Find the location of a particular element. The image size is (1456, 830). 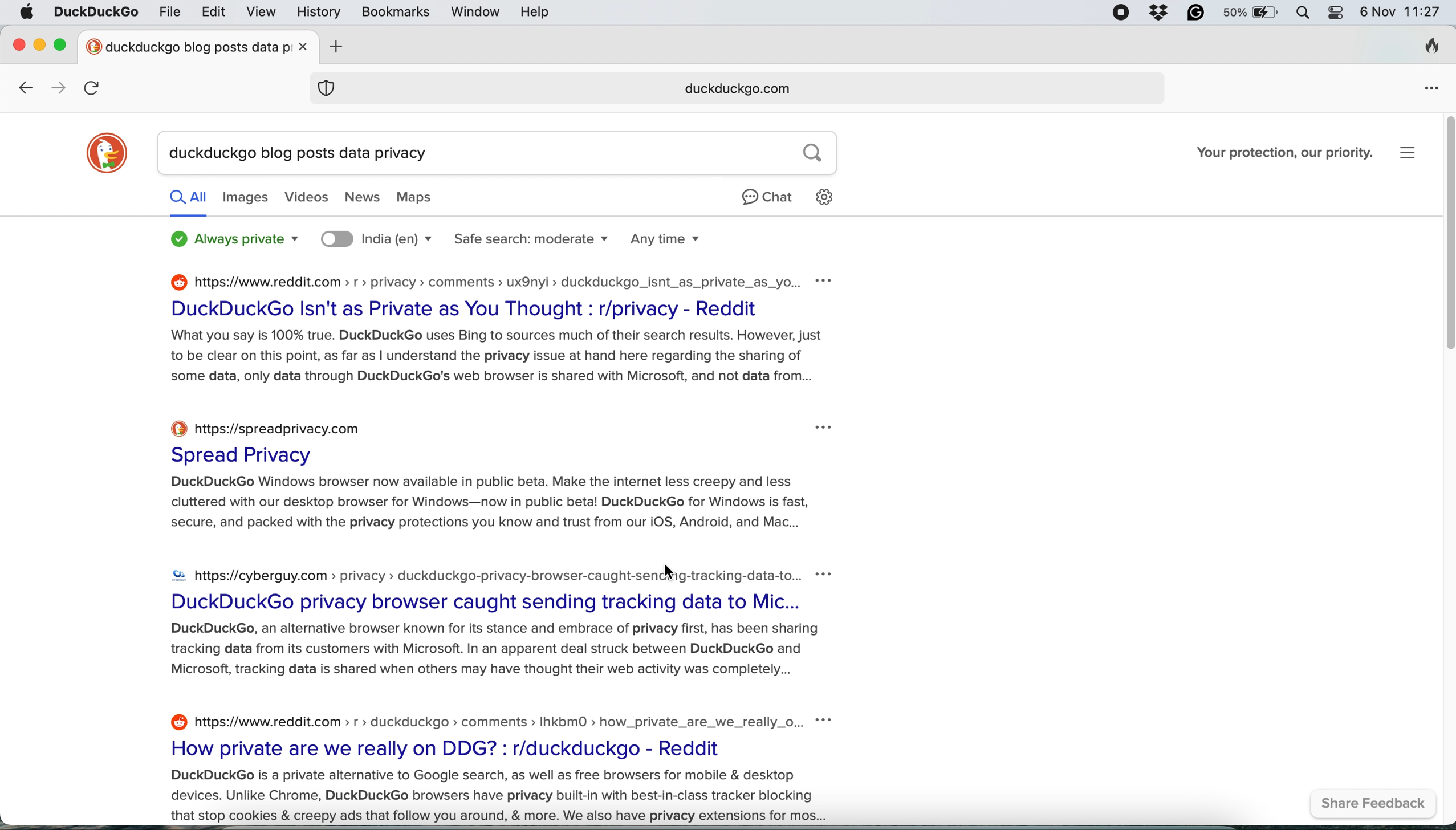

bookmarks is located at coordinates (394, 11).